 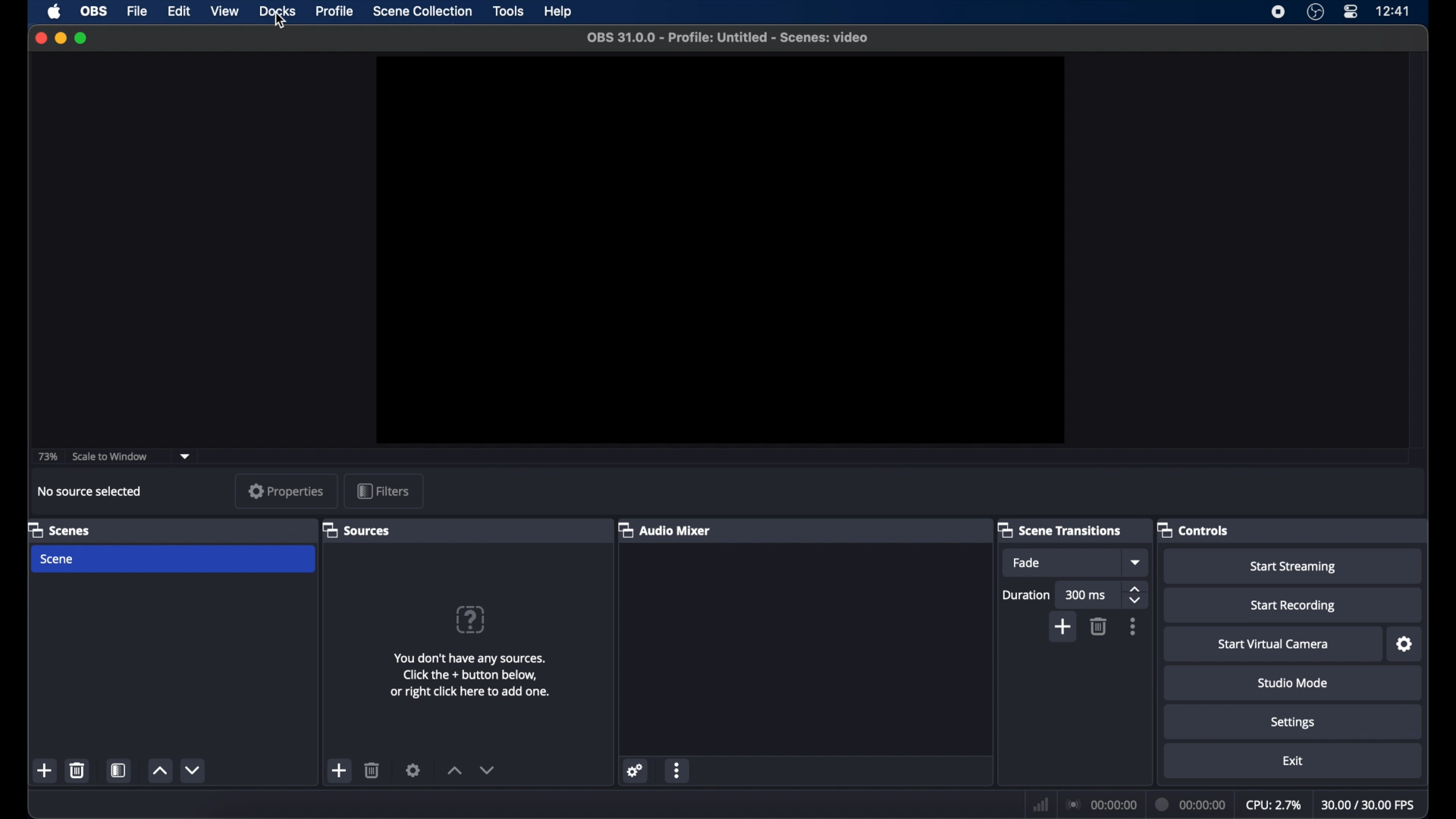 What do you see at coordinates (413, 770) in the screenshot?
I see `settings` at bounding box center [413, 770].